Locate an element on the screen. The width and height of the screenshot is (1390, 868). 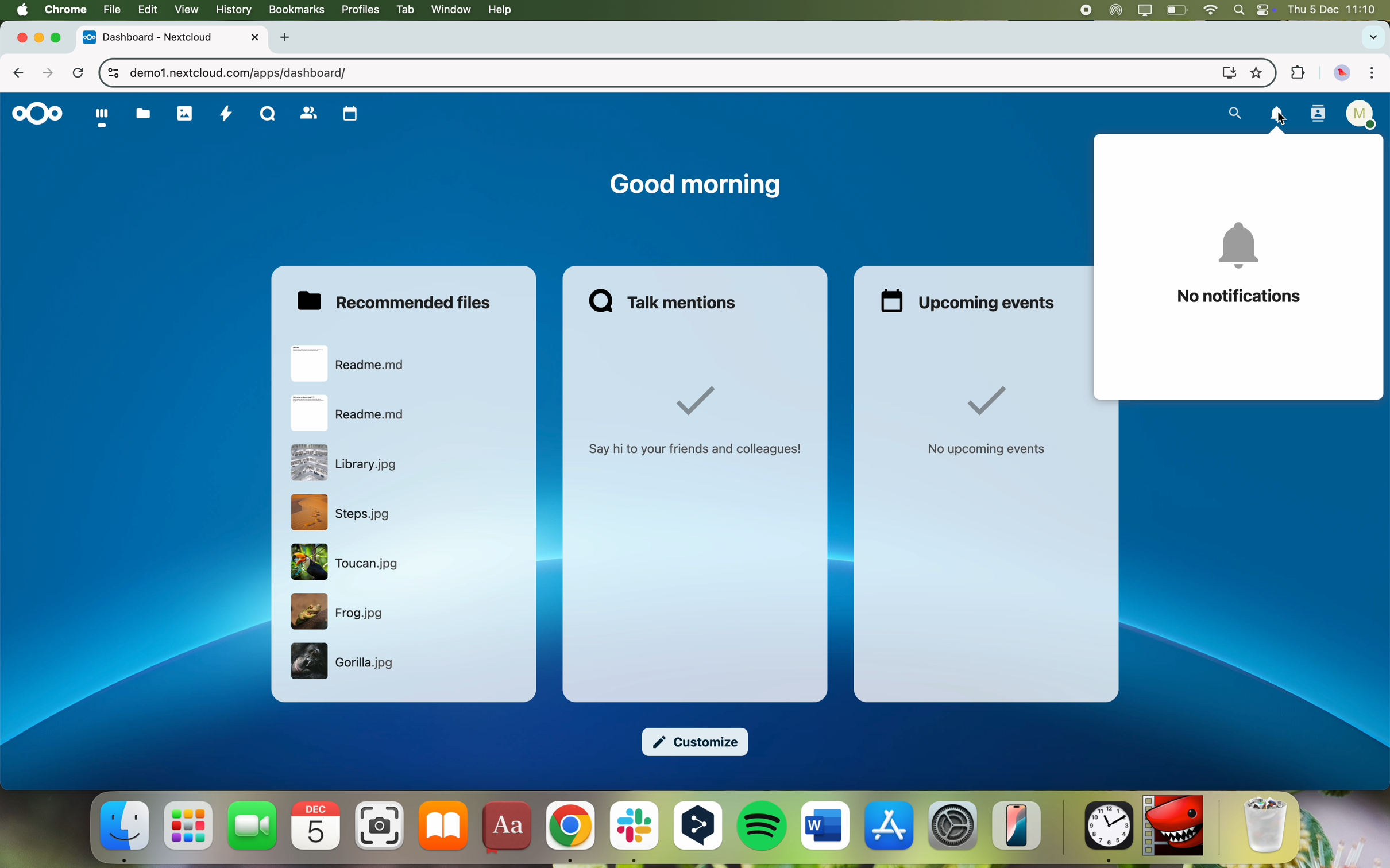
favorites is located at coordinates (1256, 71).